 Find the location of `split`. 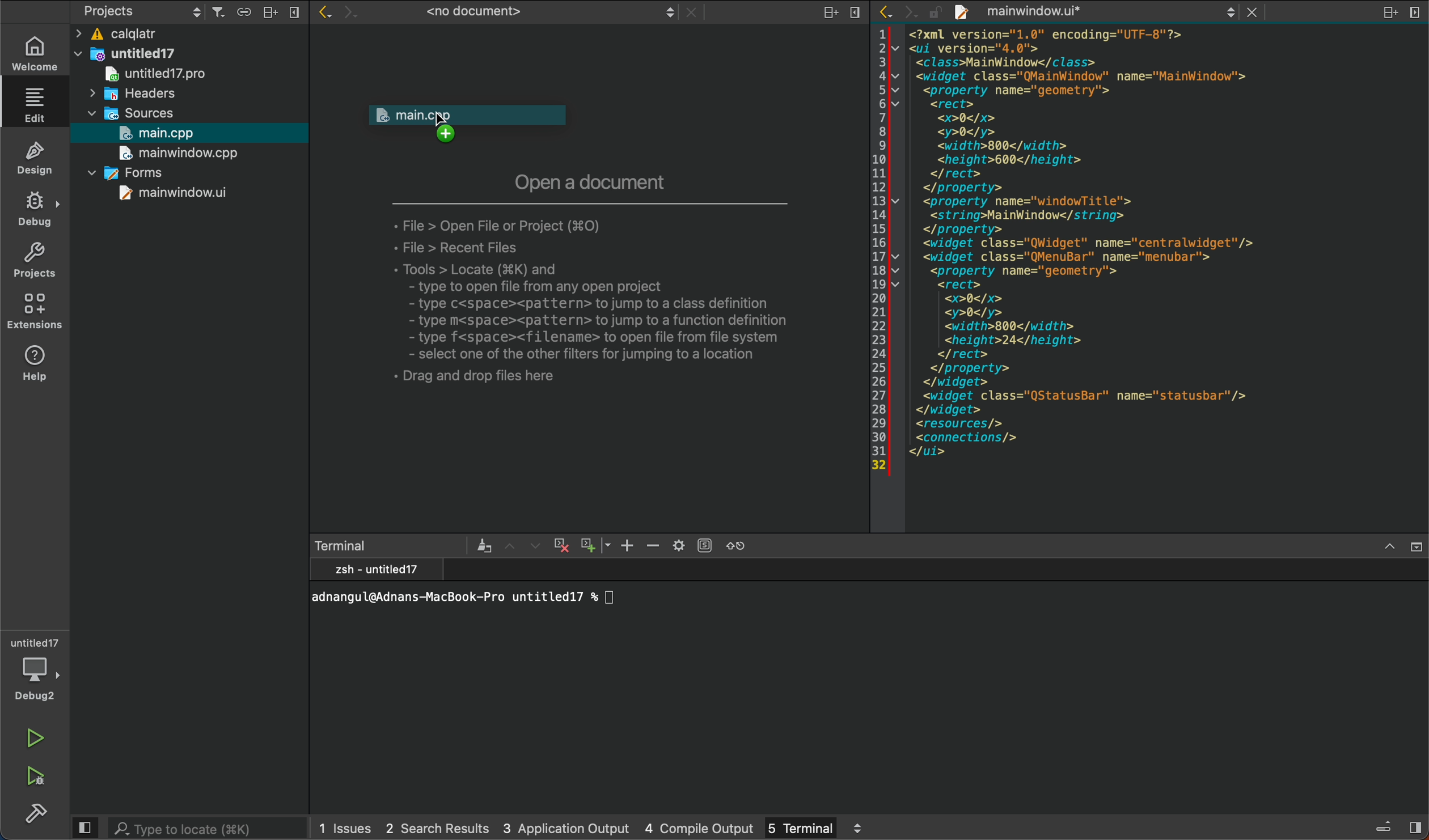

split is located at coordinates (270, 12).